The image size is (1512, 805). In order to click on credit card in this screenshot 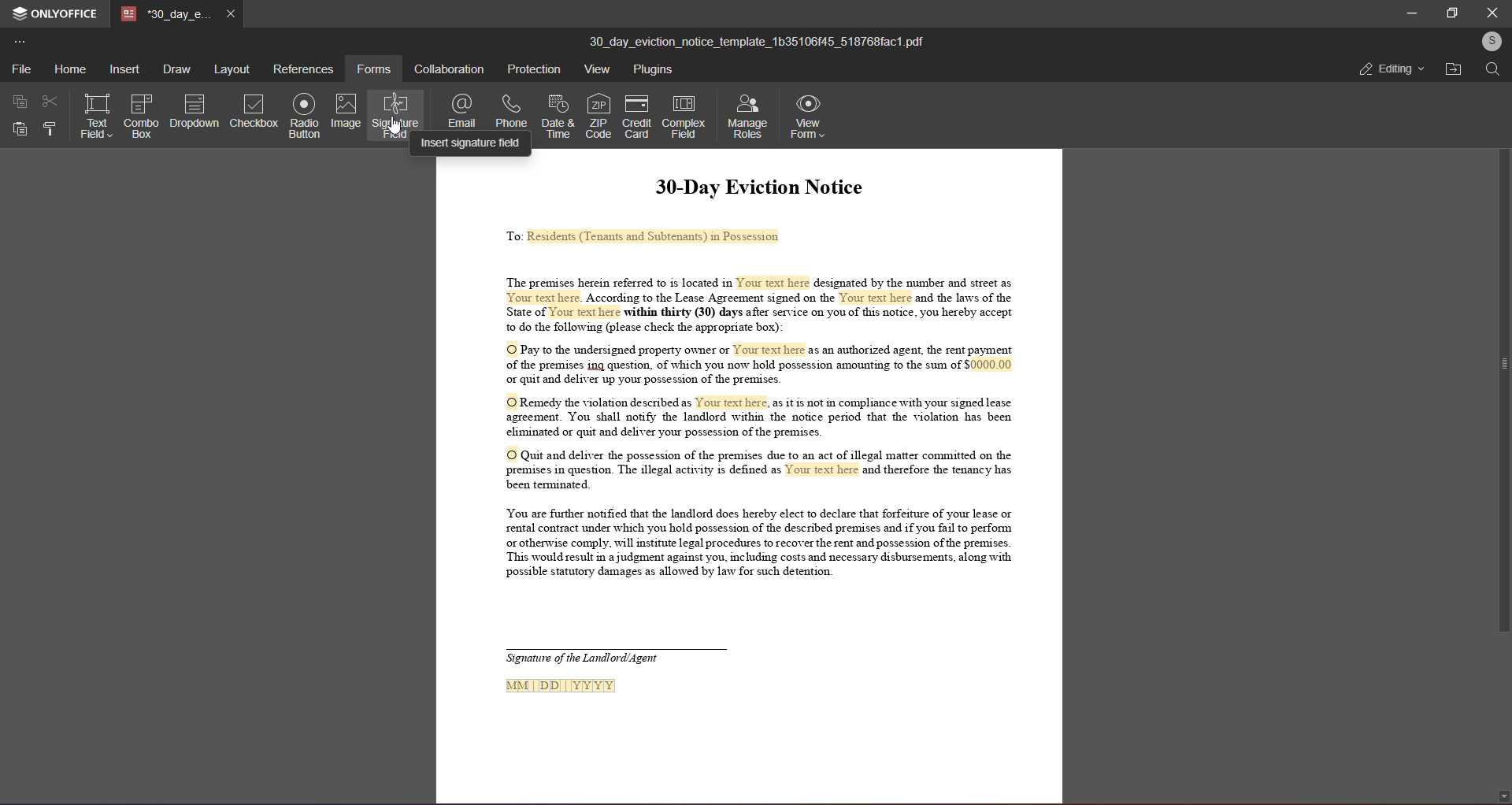, I will do `click(635, 117)`.